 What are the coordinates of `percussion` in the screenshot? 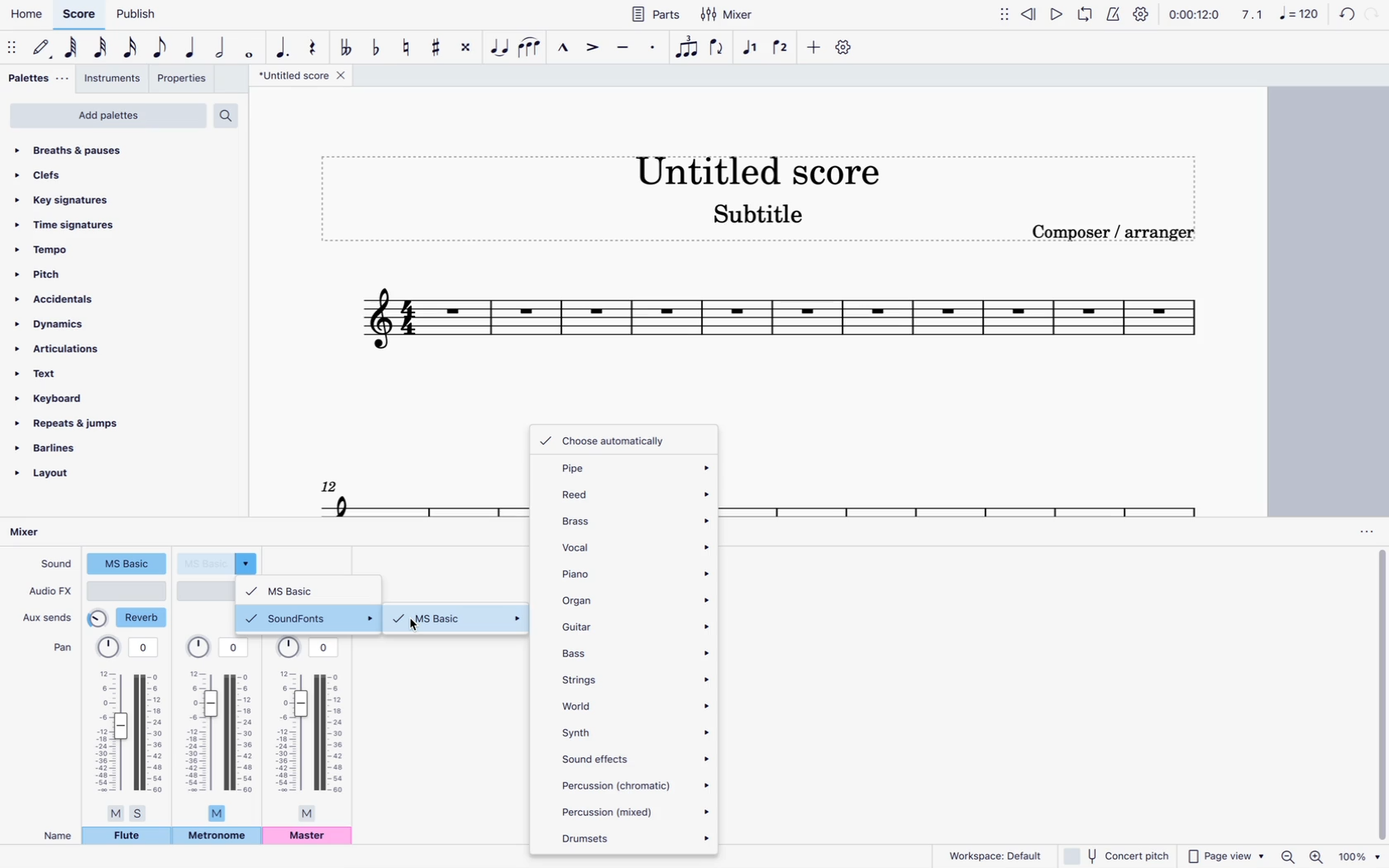 It's located at (637, 785).